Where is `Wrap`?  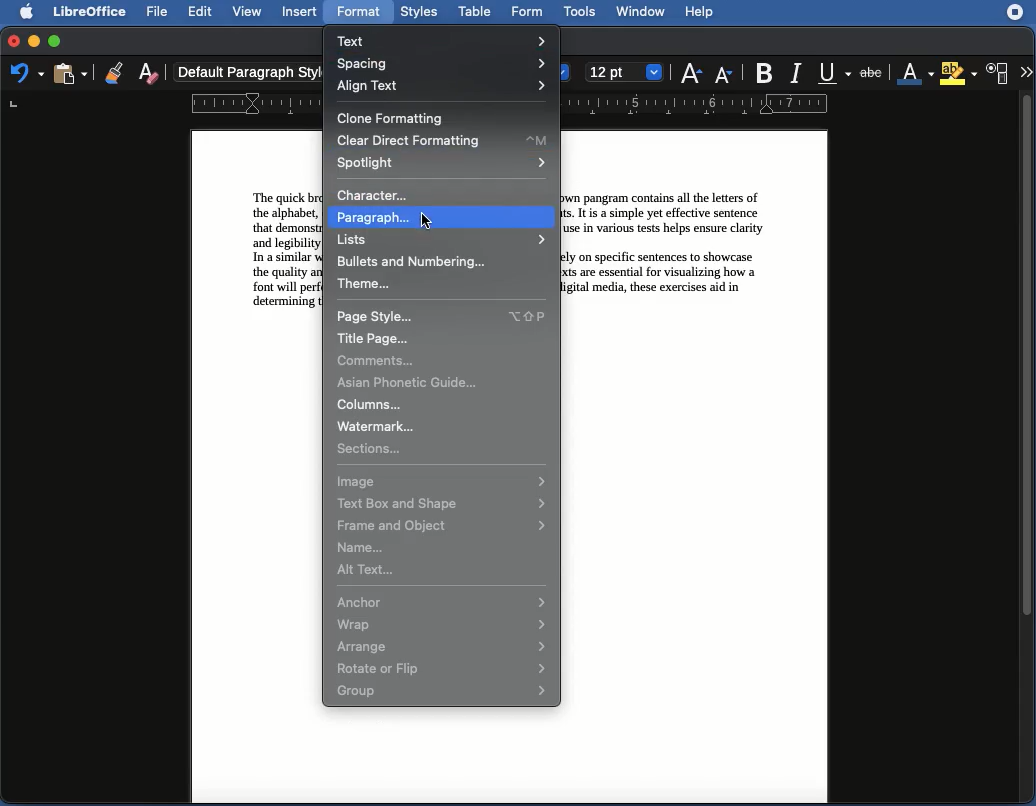
Wrap is located at coordinates (445, 624).